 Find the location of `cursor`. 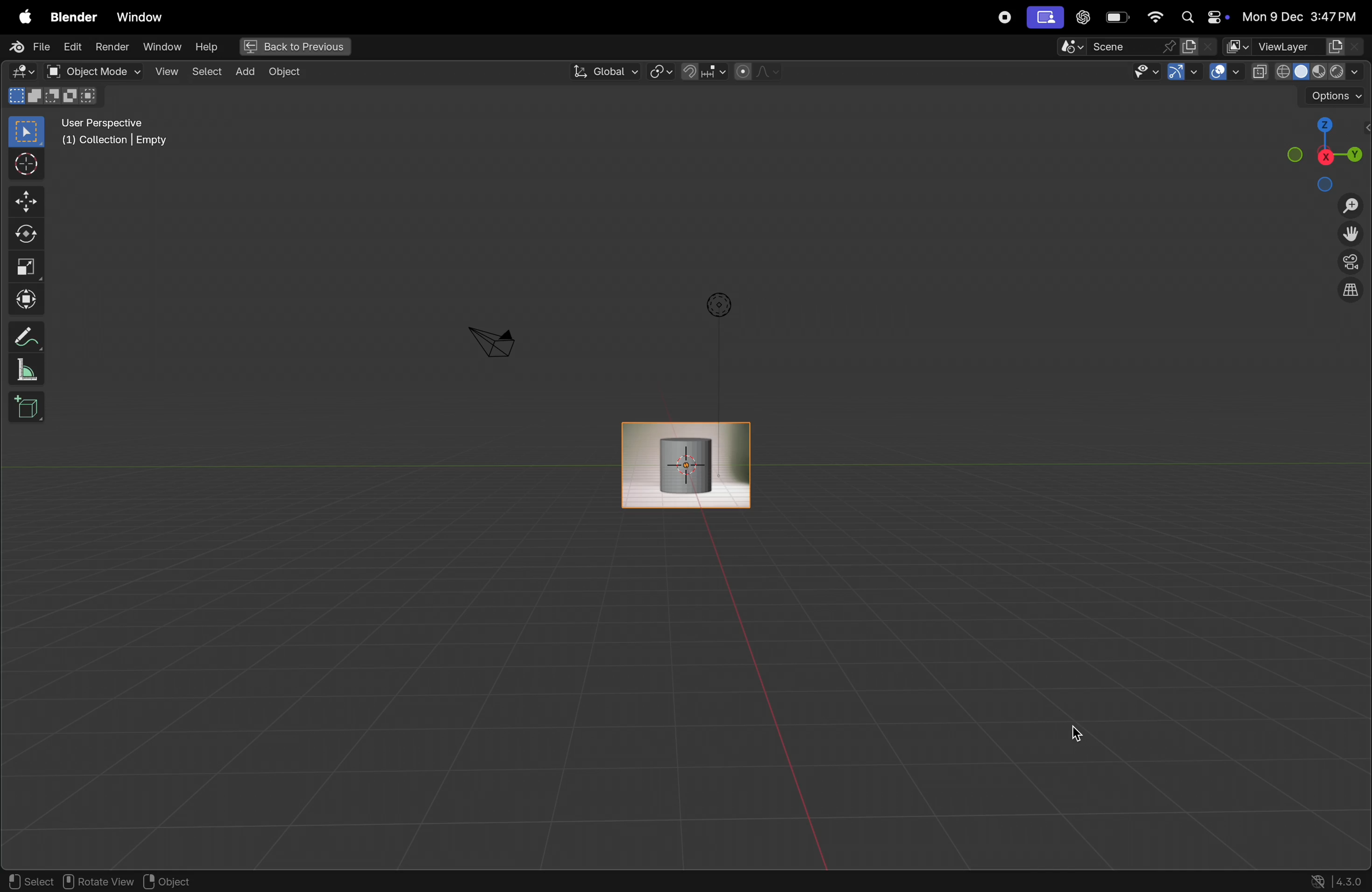

cursor is located at coordinates (842, 496).